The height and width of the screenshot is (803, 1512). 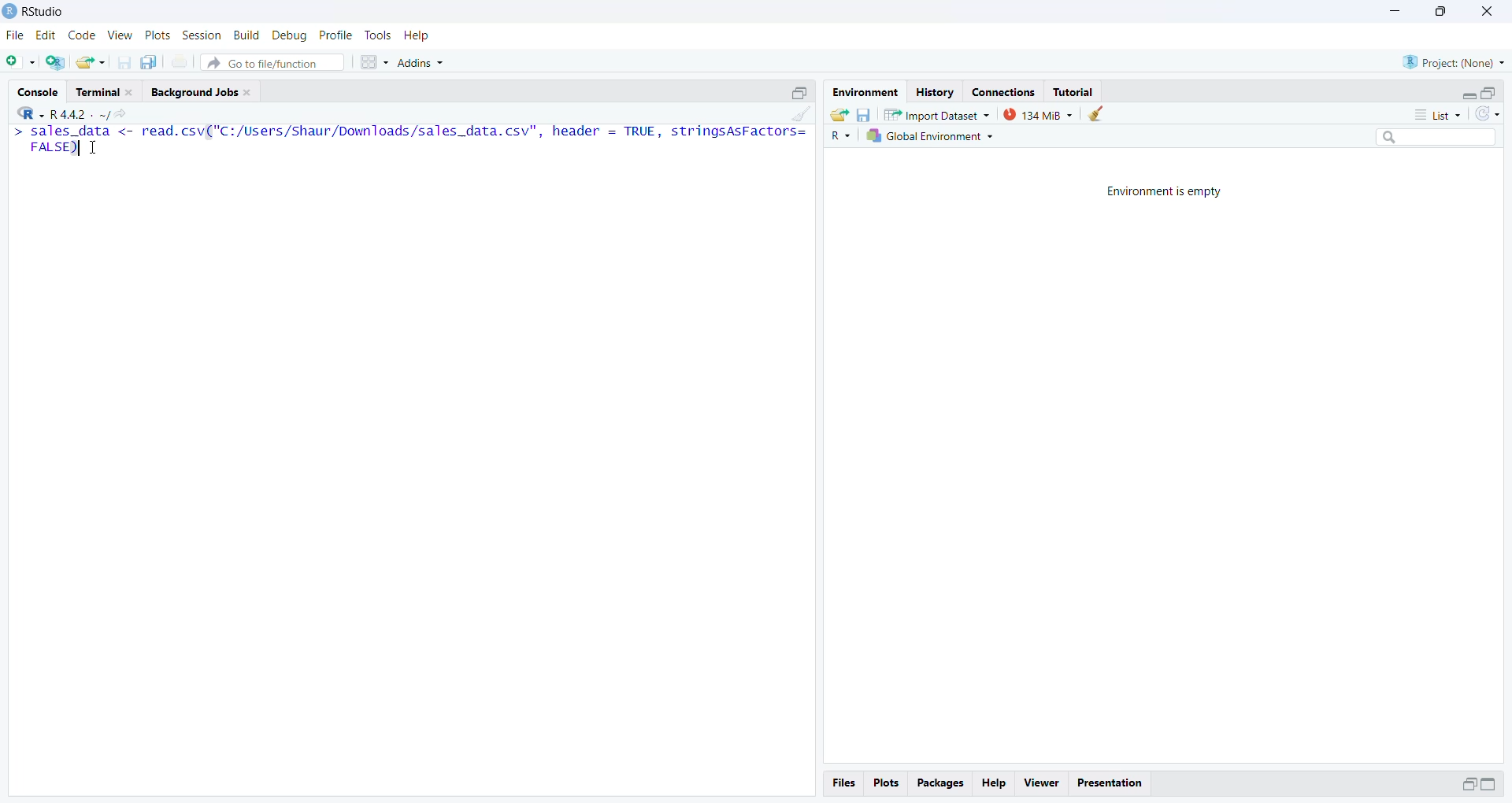 I want to click on Refresh the list in the Environment, so click(x=1488, y=116).